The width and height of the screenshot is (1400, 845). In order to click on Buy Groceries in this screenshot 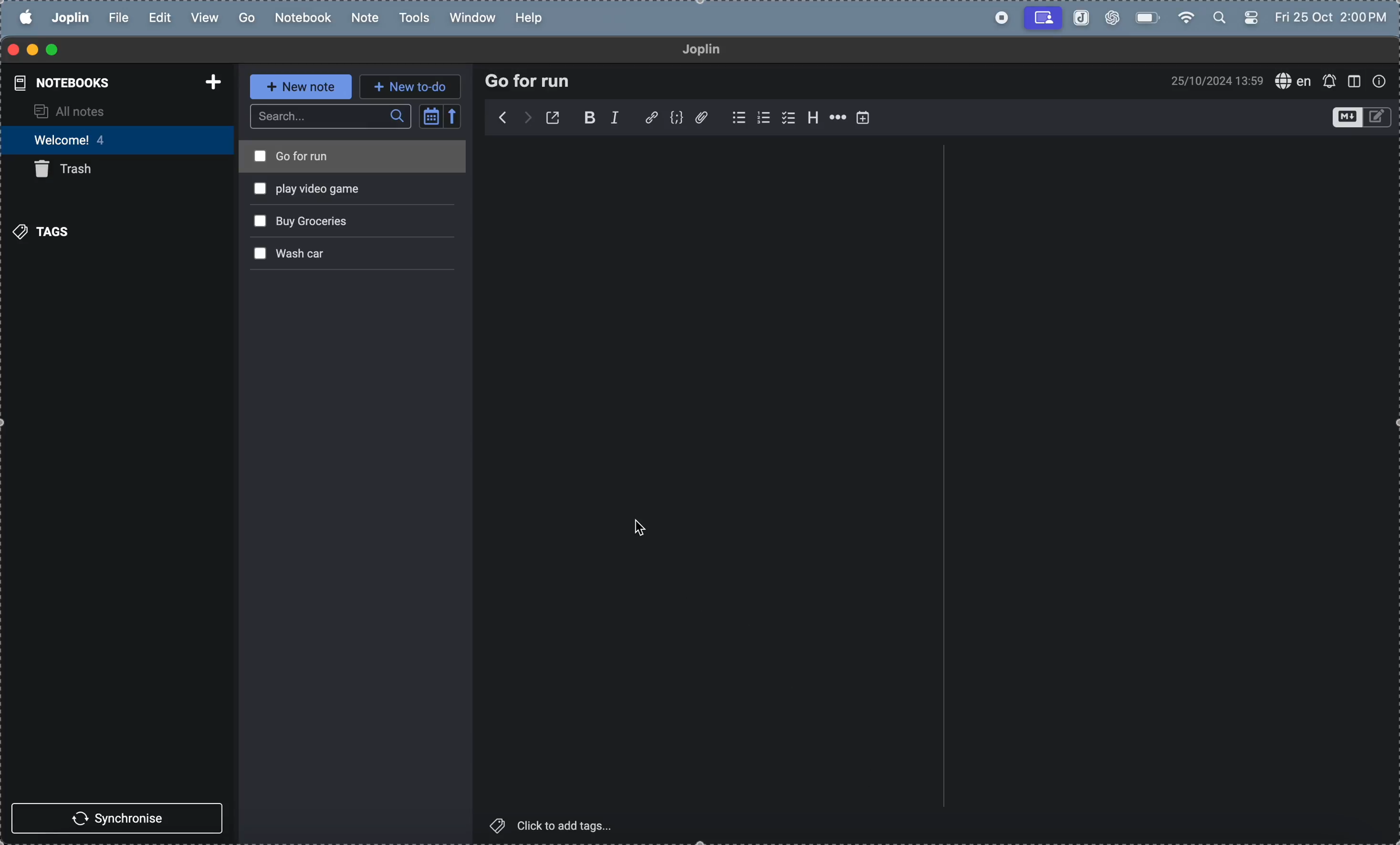, I will do `click(303, 223)`.